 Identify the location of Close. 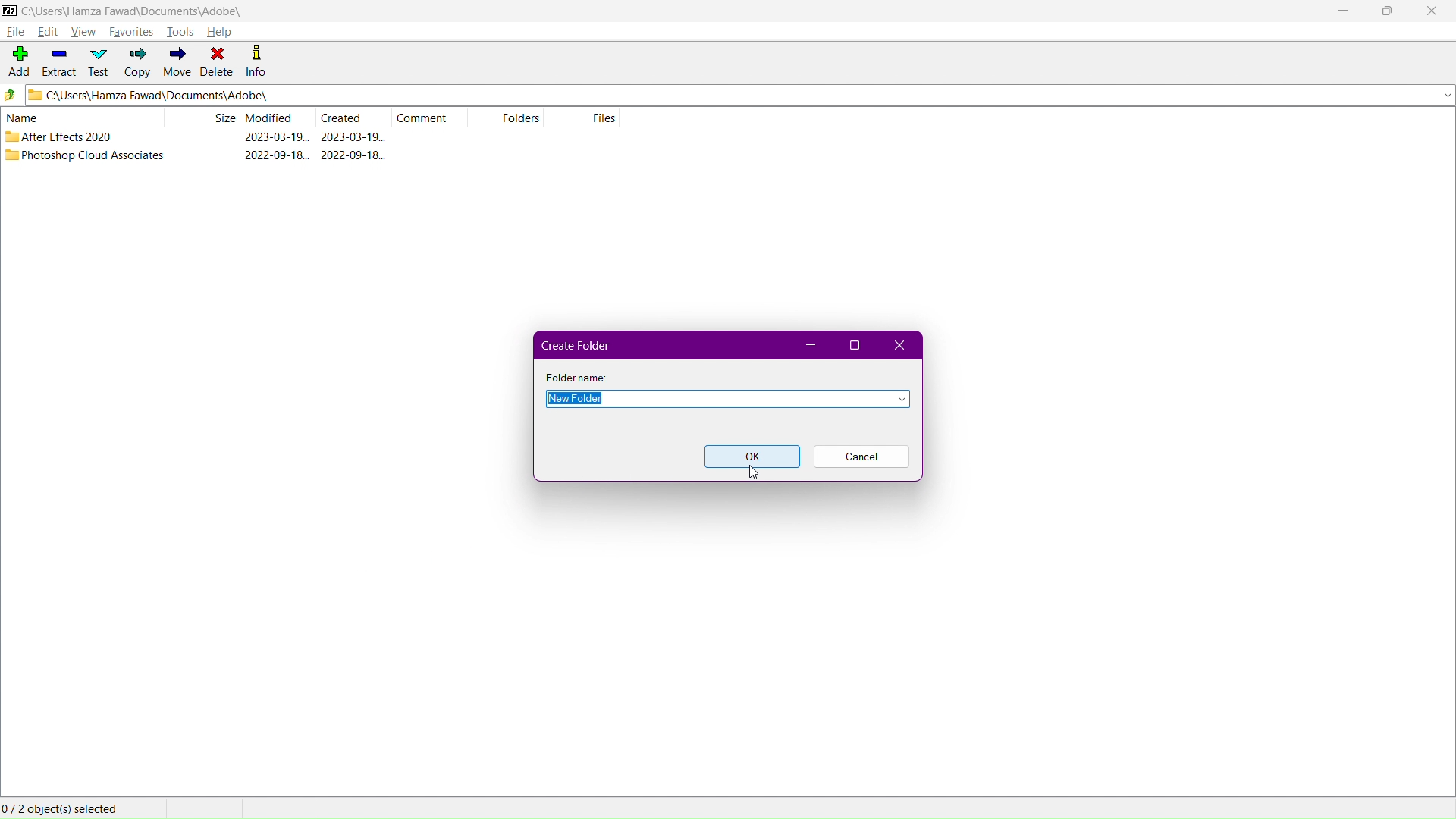
(899, 344).